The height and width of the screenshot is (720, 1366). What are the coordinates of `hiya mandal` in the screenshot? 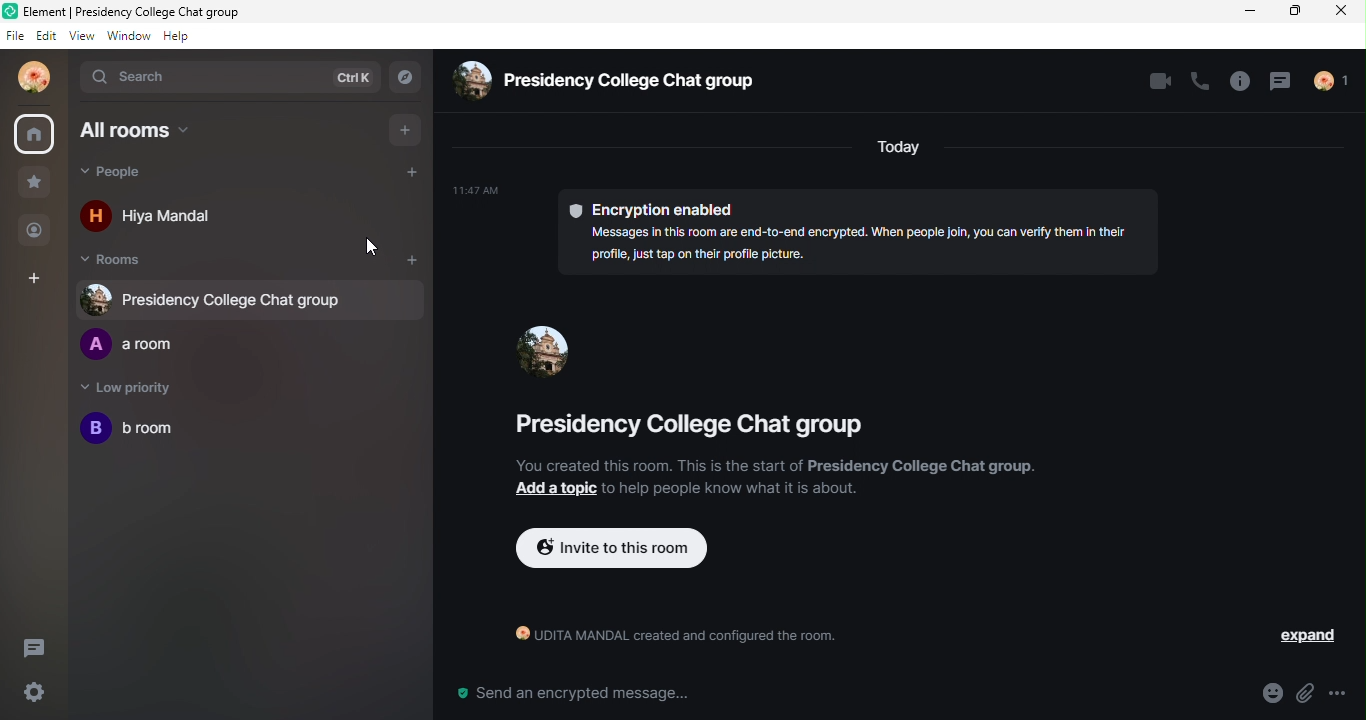 It's located at (164, 213).